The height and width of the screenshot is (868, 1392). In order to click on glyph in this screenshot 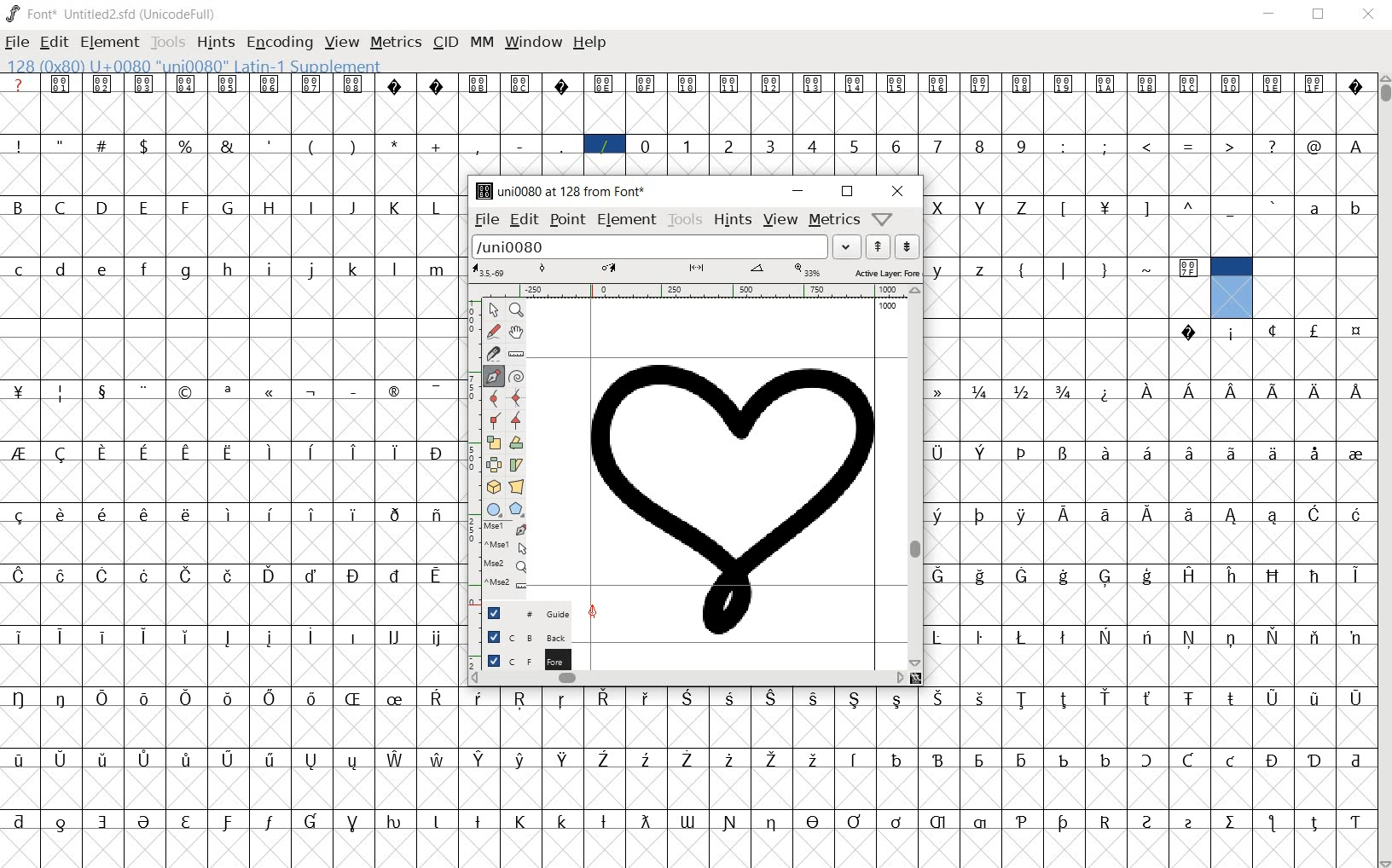, I will do `click(185, 146)`.